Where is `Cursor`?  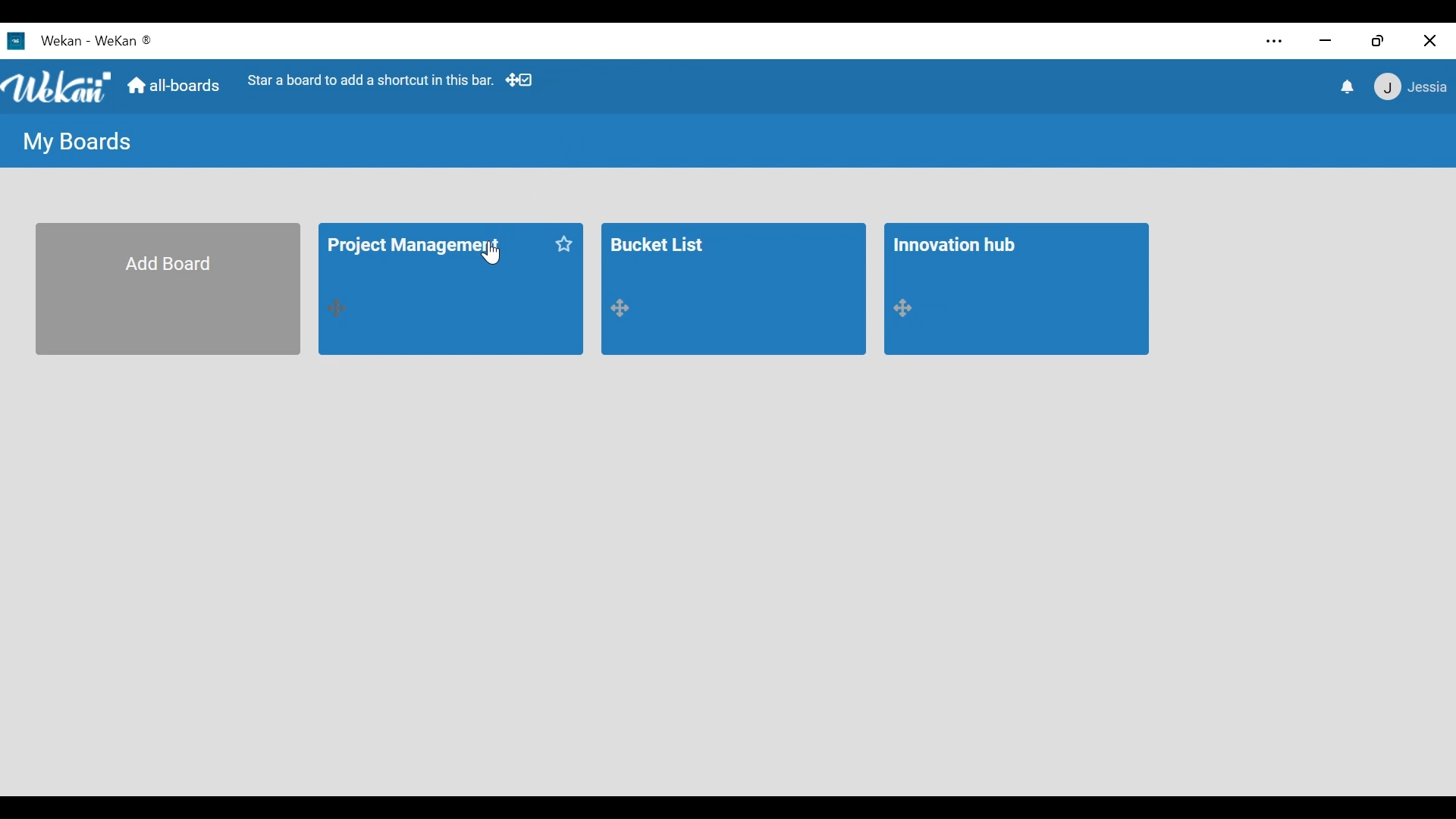
Cursor is located at coordinates (492, 256).